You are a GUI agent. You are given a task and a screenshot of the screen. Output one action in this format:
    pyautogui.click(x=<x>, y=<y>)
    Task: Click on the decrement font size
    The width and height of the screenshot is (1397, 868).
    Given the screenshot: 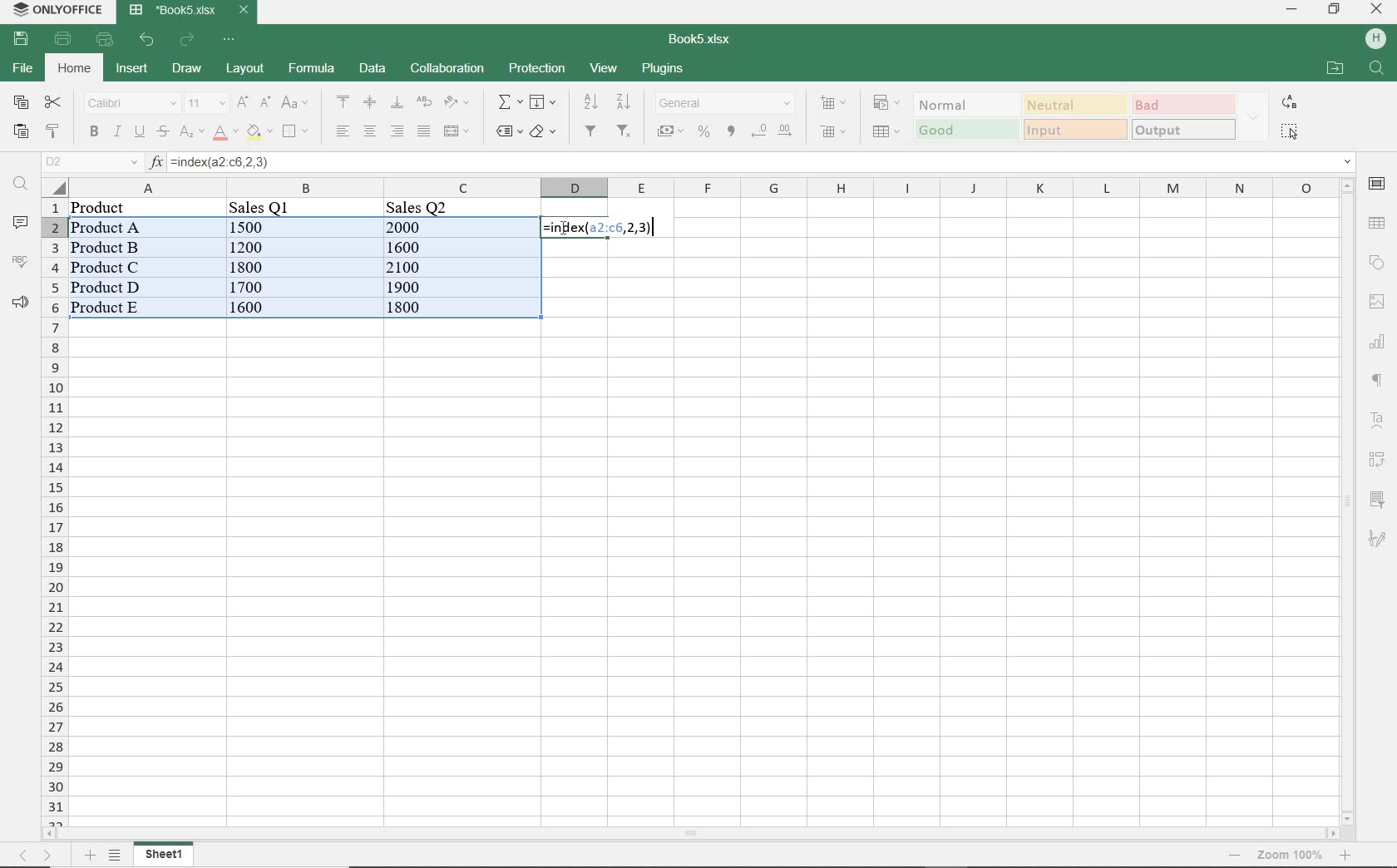 What is the action you would take?
    pyautogui.click(x=264, y=102)
    